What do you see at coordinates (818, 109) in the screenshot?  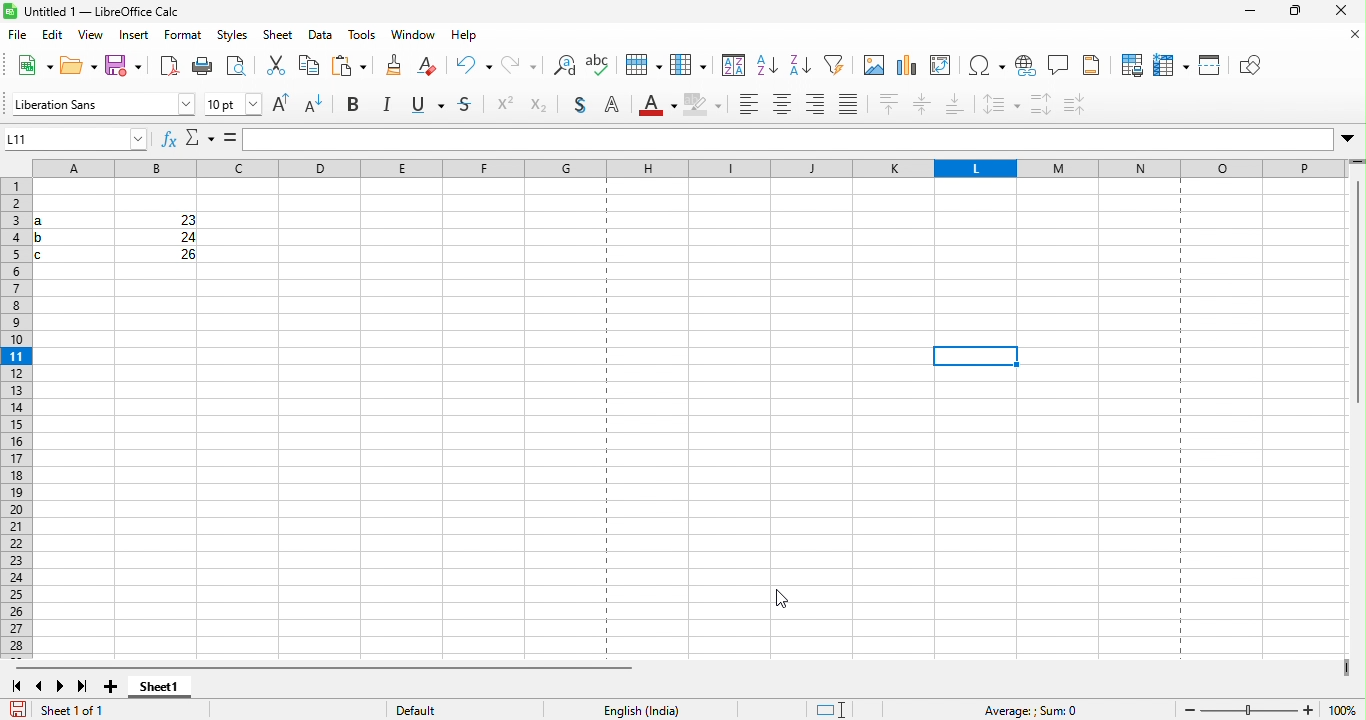 I see `align right` at bounding box center [818, 109].